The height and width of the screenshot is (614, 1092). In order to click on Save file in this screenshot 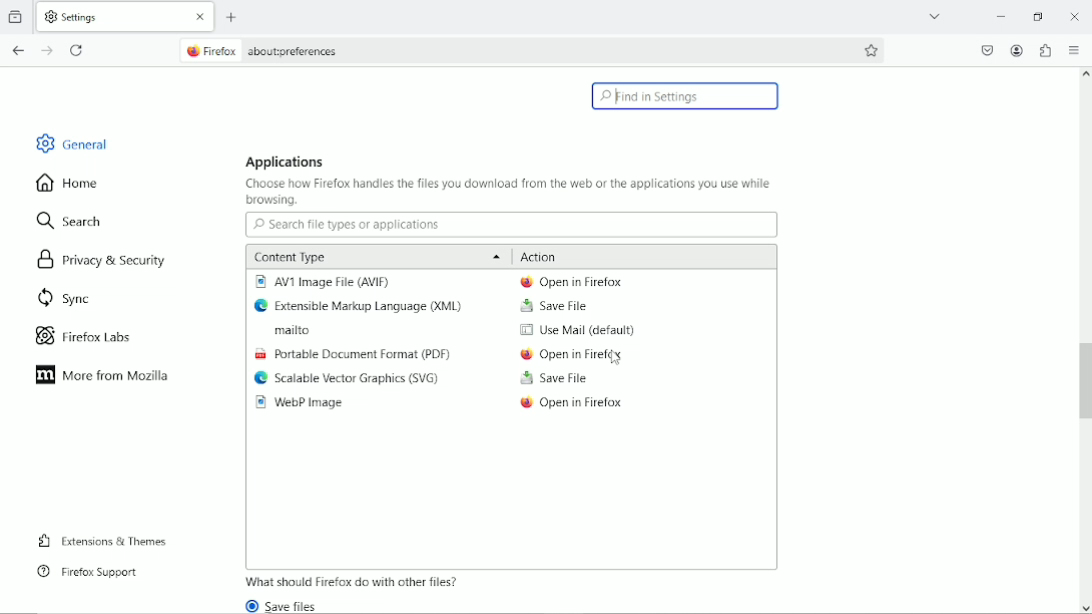, I will do `click(553, 306)`.